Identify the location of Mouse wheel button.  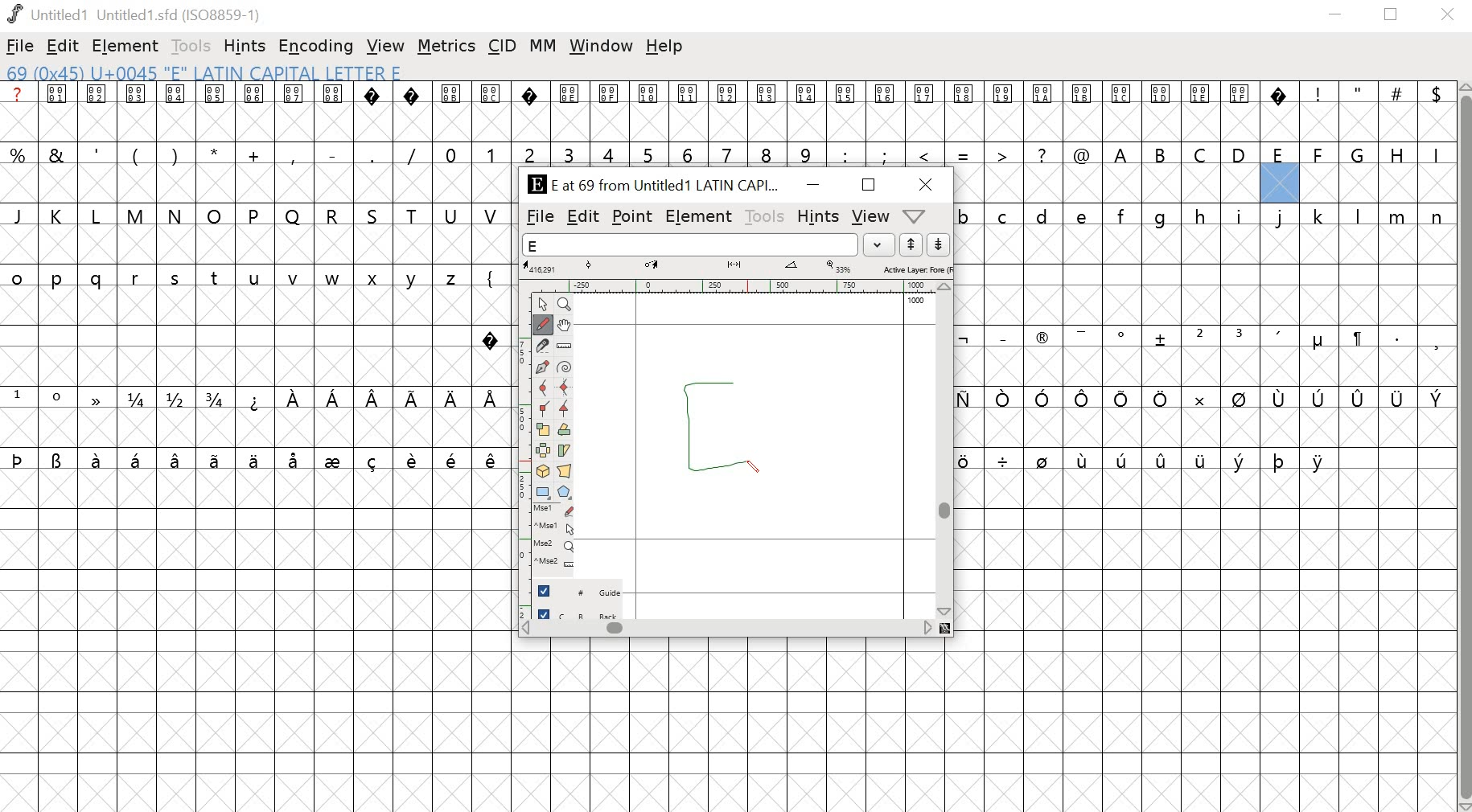
(553, 546).